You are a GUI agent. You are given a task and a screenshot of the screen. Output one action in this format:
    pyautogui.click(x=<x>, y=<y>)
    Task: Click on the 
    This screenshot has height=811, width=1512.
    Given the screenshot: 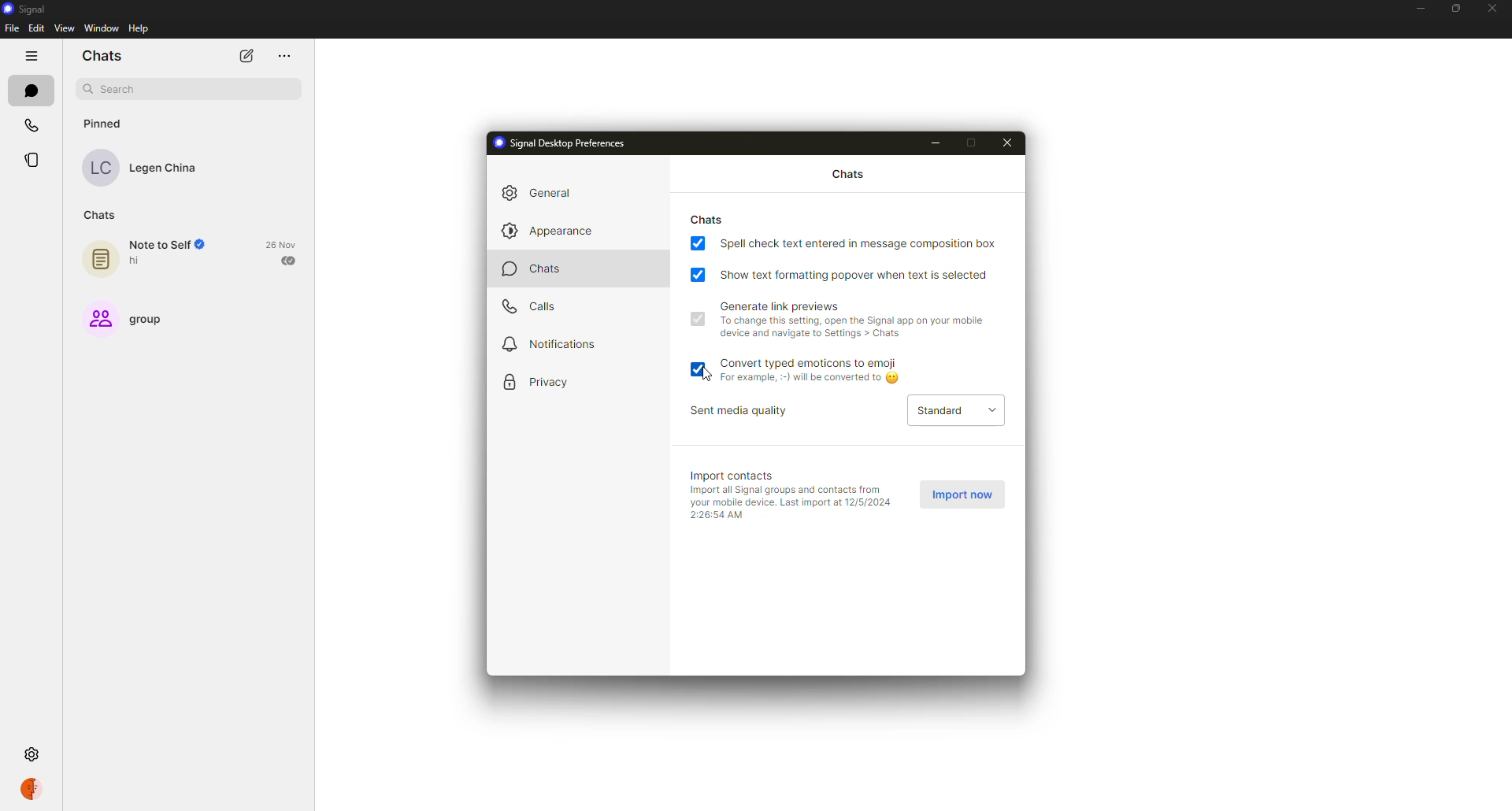 What is the action you would take?
    pyautogui.click(x=699, y=243)
    